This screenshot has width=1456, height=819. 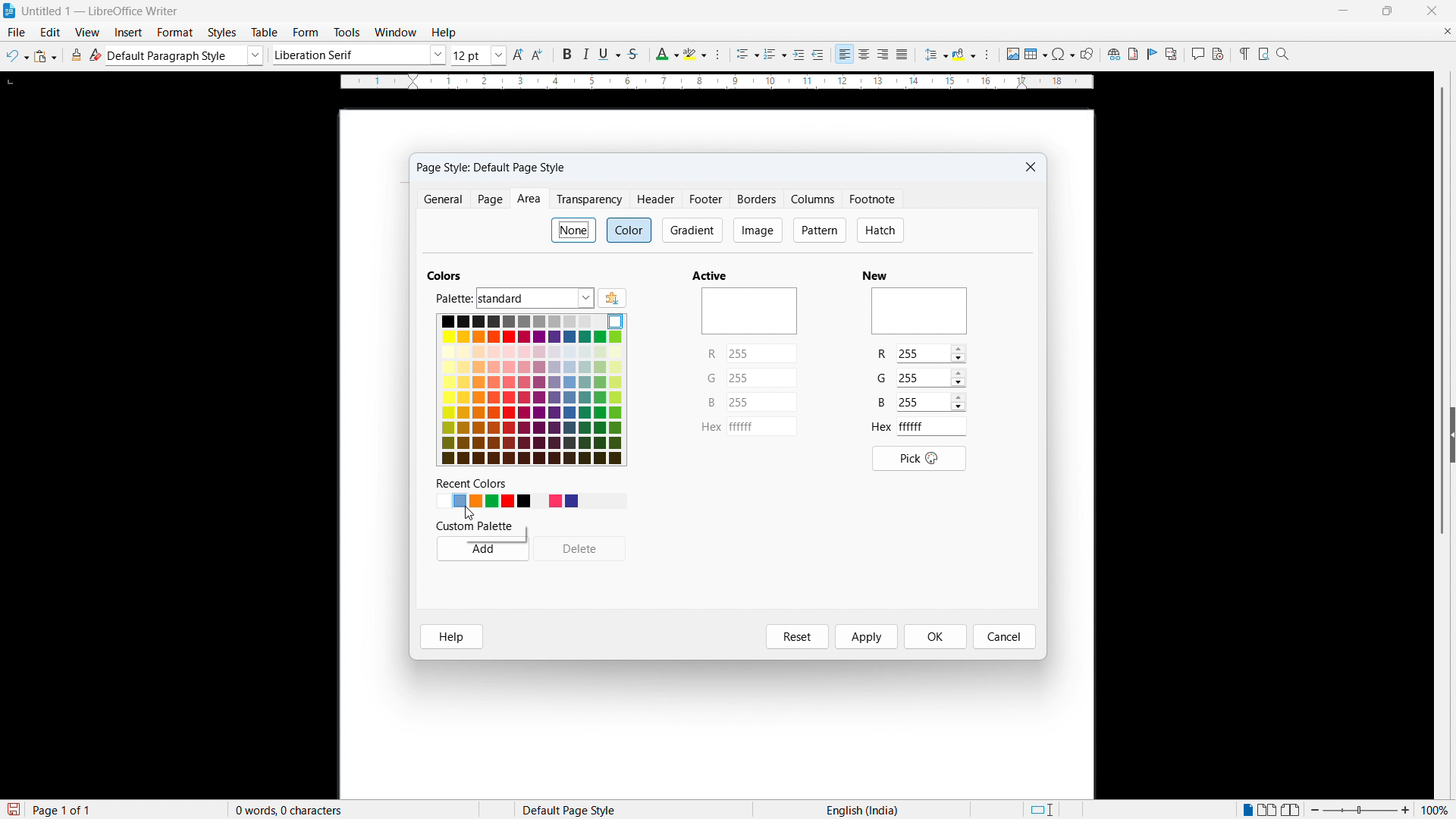 What do you see at coordinates (186, 55) in the screenshot?
I see `Default paragraph style` at bounding box center [186, 55].